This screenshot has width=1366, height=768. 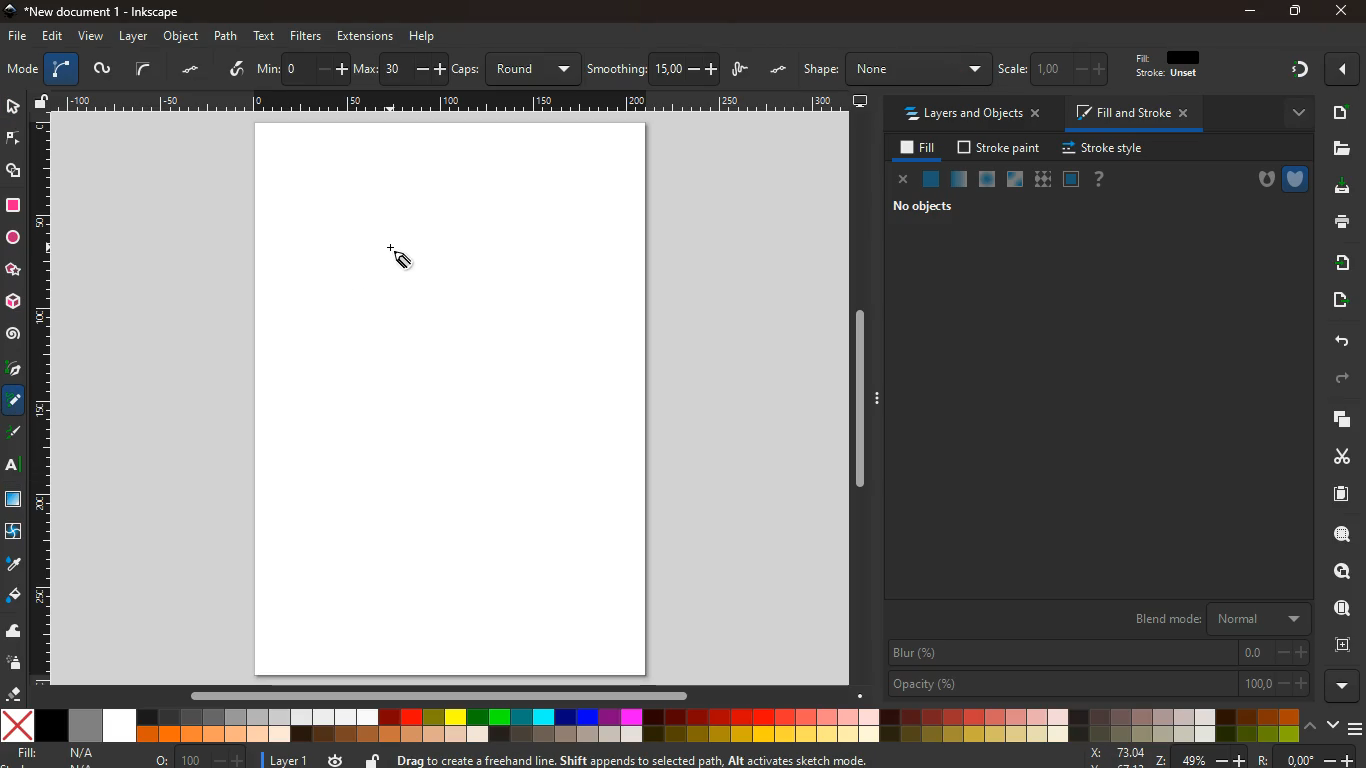 I want to click on cut, so click(x=1336, y=456).